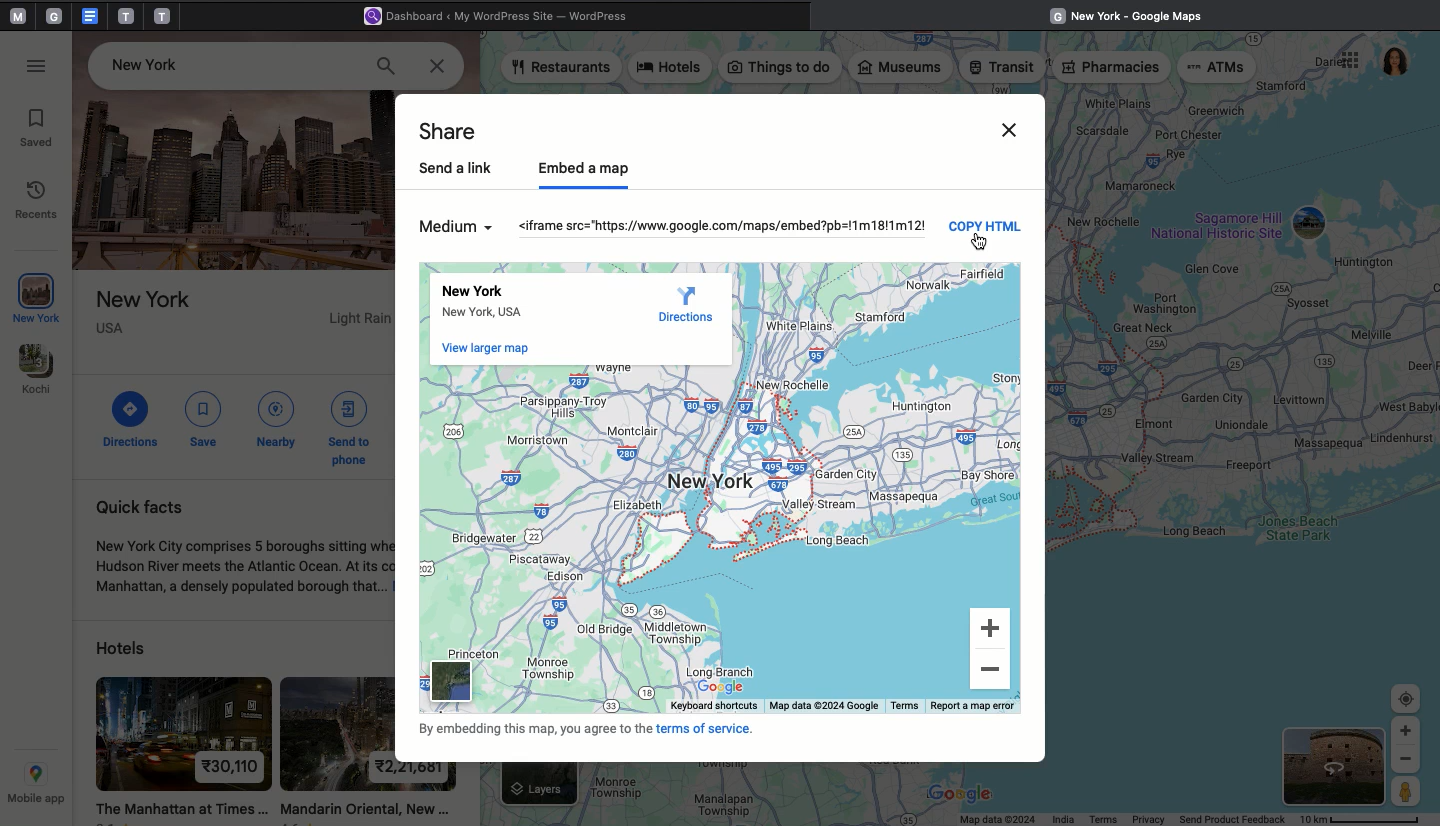 Image resolution: width=1440 pixels, height=826 pixels. I want to click on MAP, so click(688, 540).